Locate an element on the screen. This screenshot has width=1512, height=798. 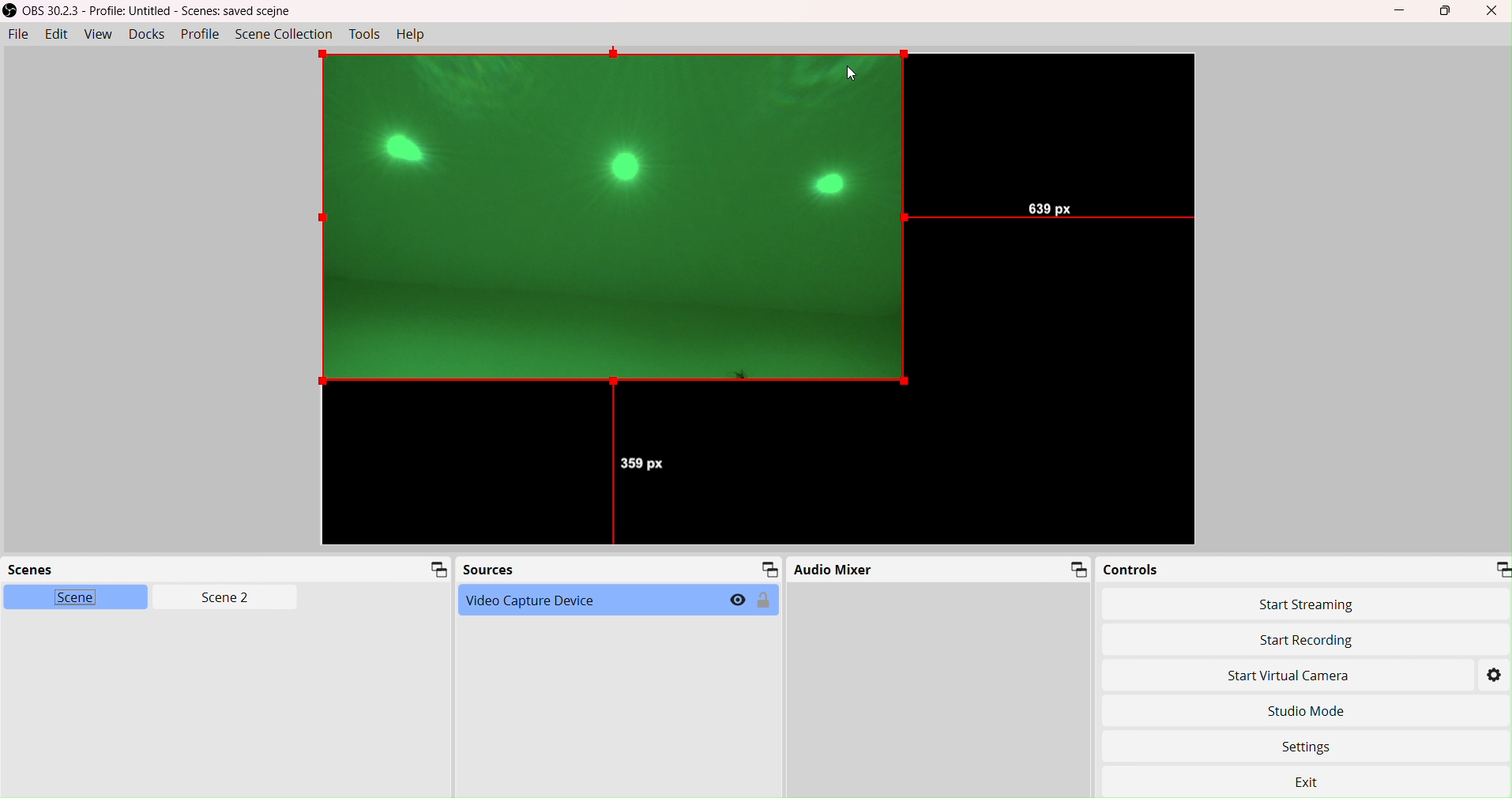
Exit is located at coordinates (1315, 783).